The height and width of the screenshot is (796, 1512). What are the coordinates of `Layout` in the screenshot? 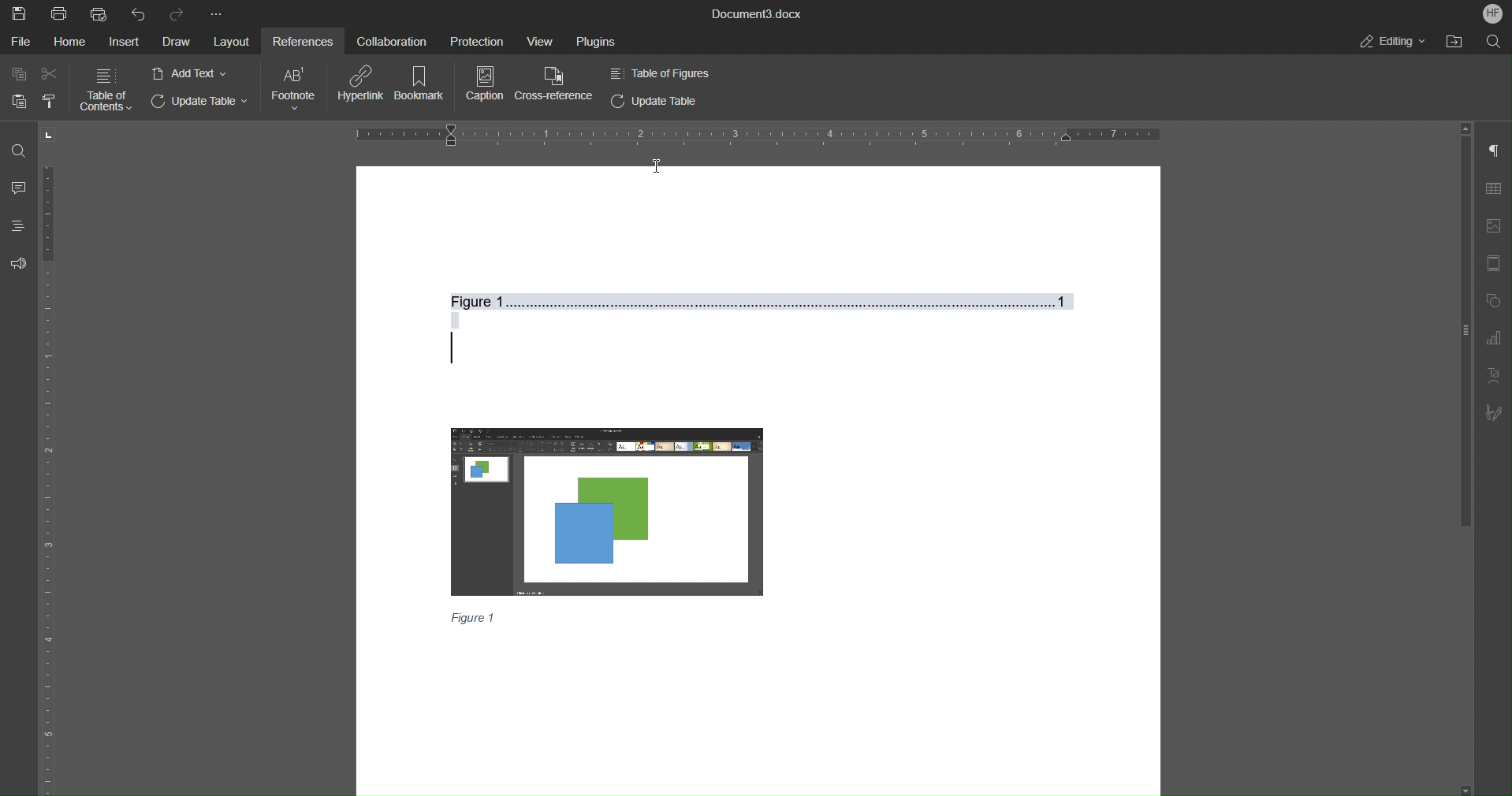 It's located at (231, 42).